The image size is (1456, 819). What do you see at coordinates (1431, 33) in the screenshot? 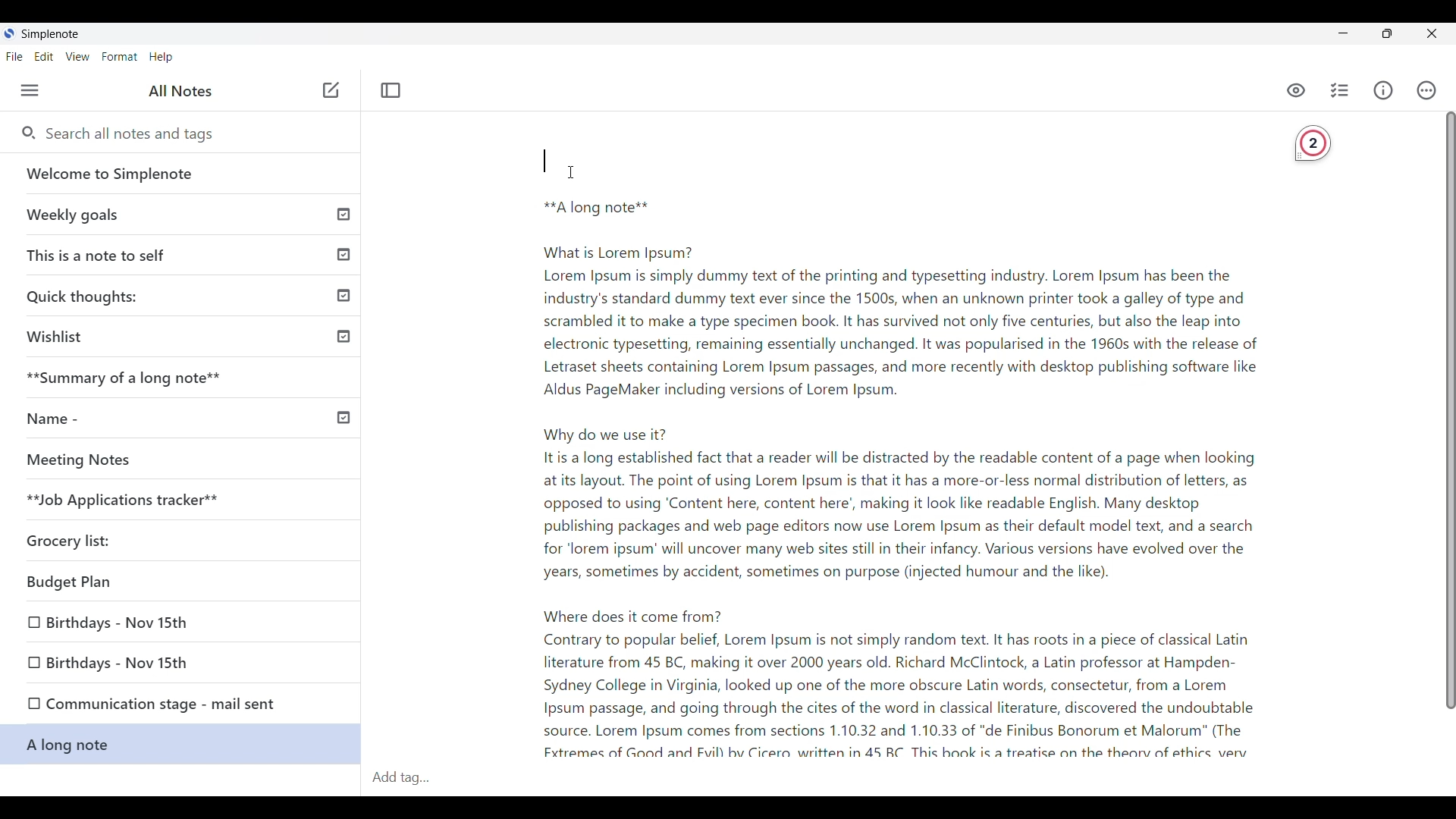
I see `Close interface` at bounding box center [1431, 33].